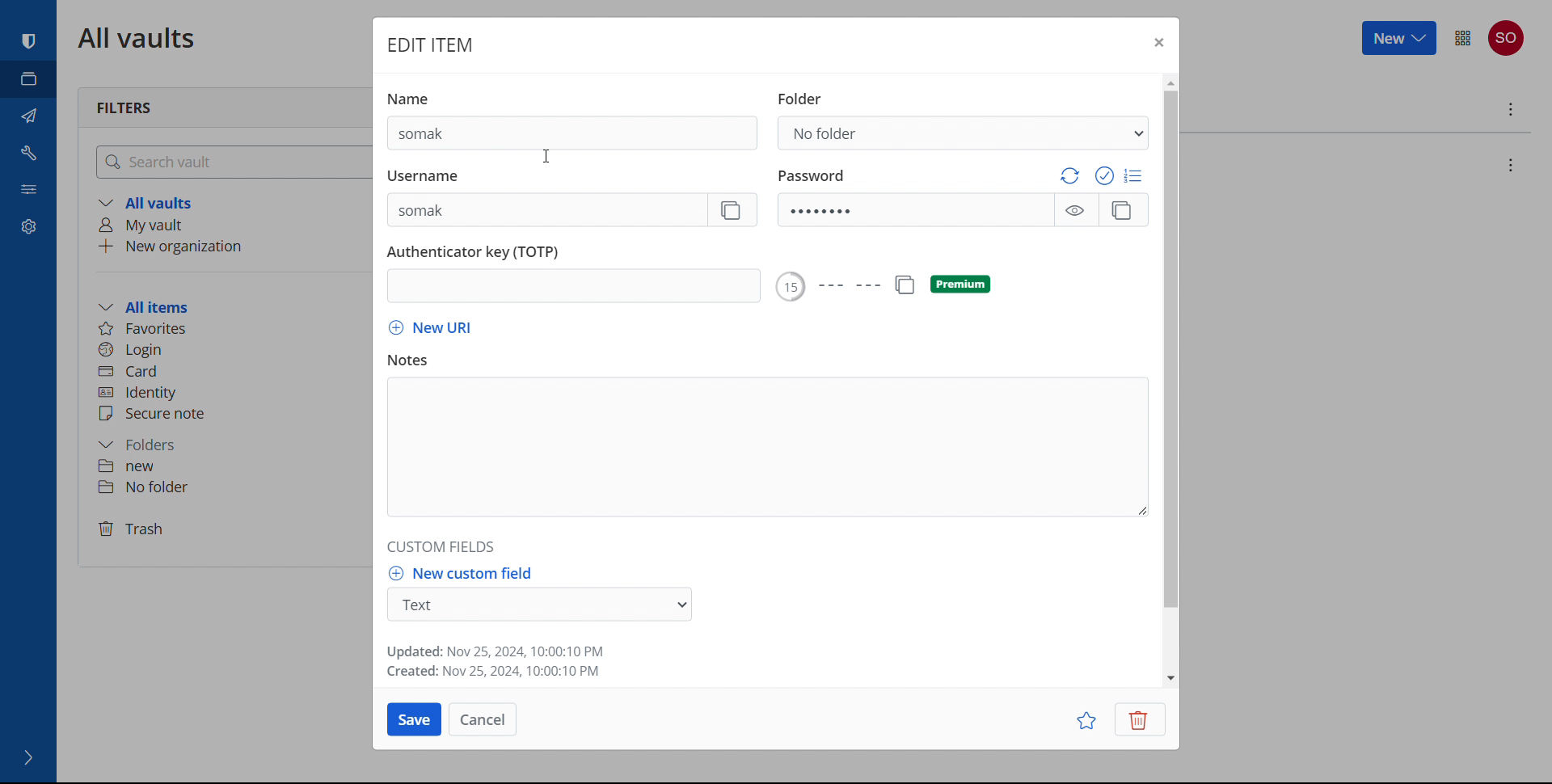  I want to click on all vaults, so click(139, 39).